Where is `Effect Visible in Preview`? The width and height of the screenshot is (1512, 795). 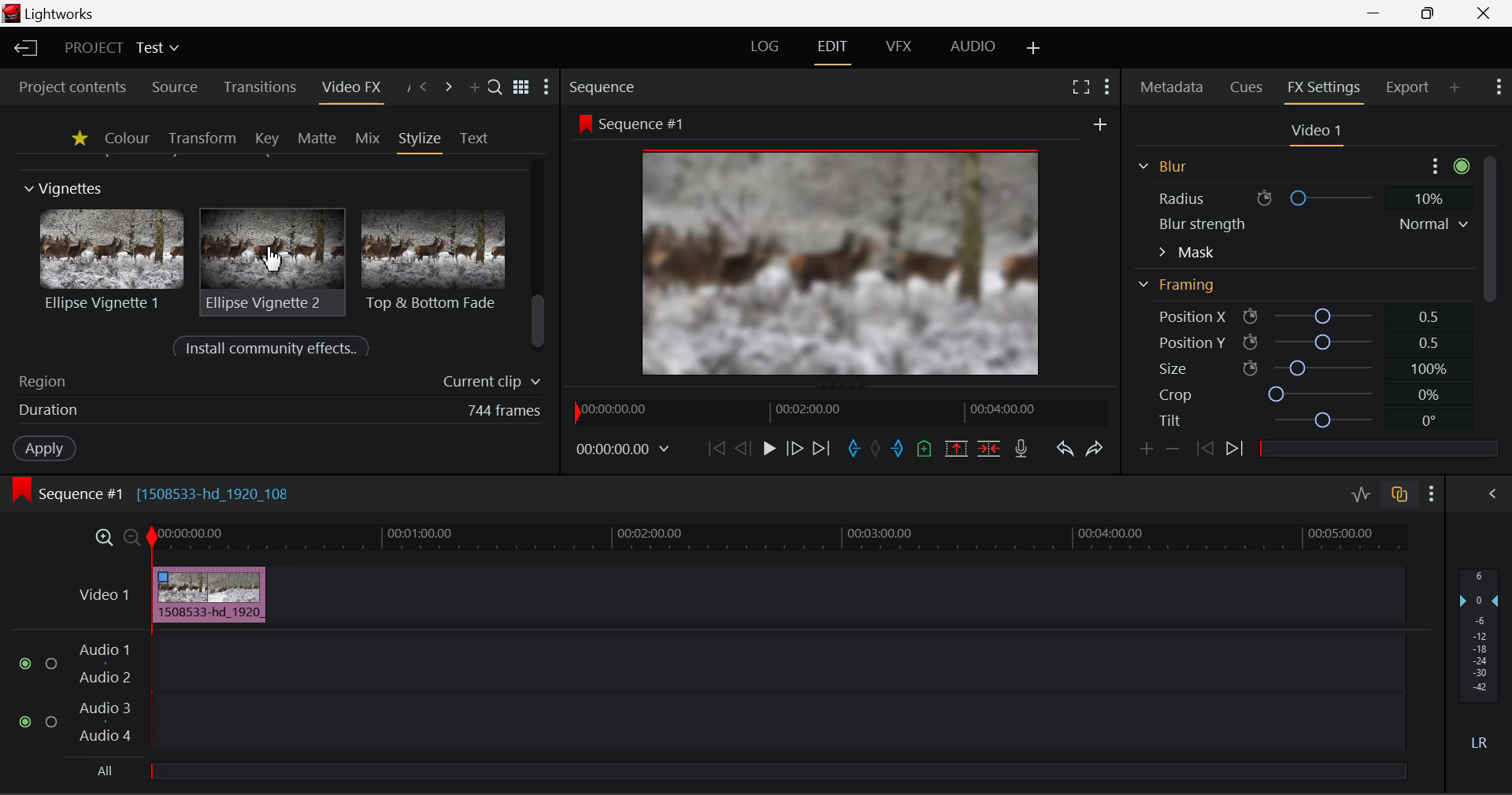
Effect Visible in Preview is located at coordinates (818, 246).